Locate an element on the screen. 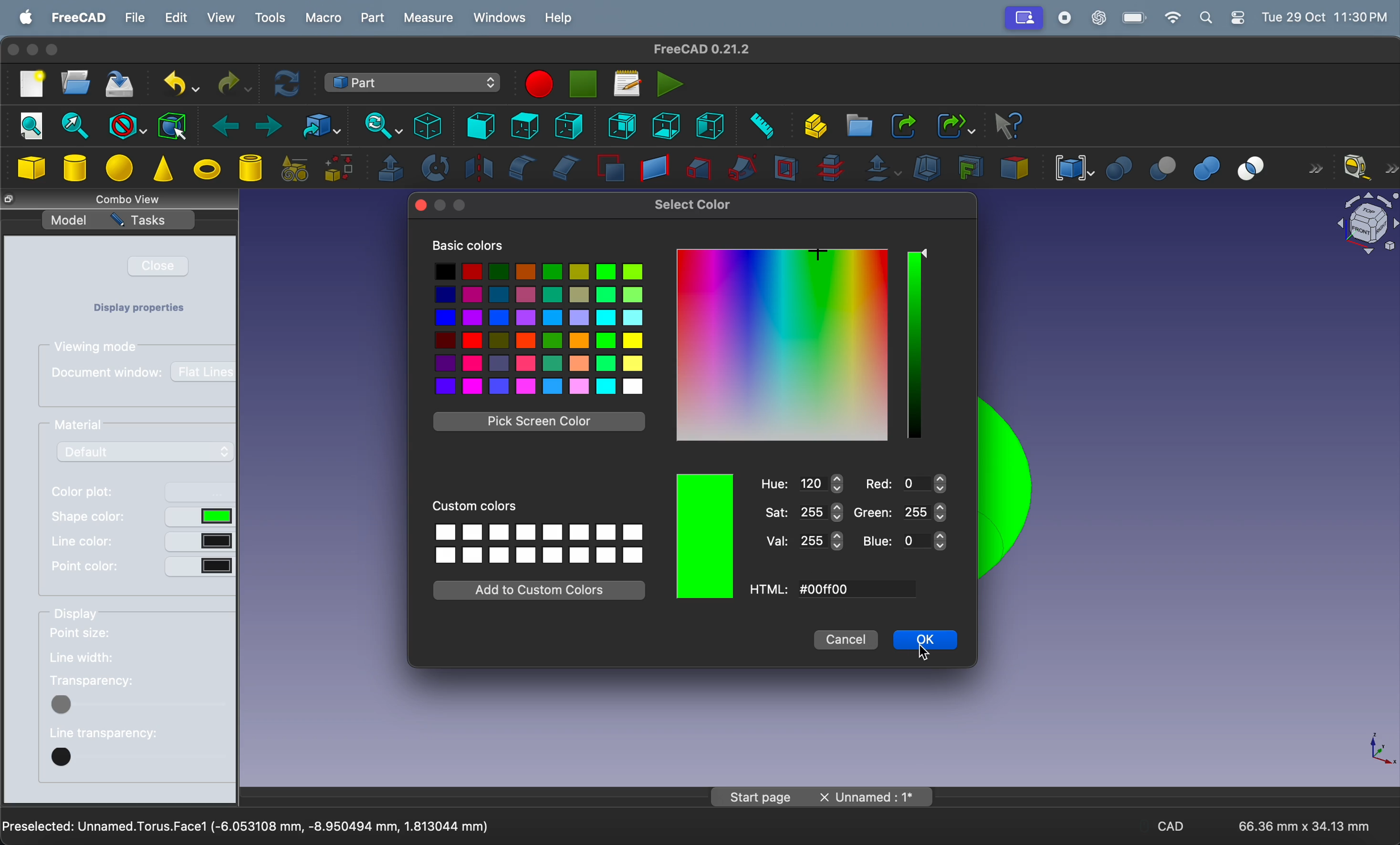 The width and height of the screenshot is (1400, 845). button is located at coordinates (201, 567).